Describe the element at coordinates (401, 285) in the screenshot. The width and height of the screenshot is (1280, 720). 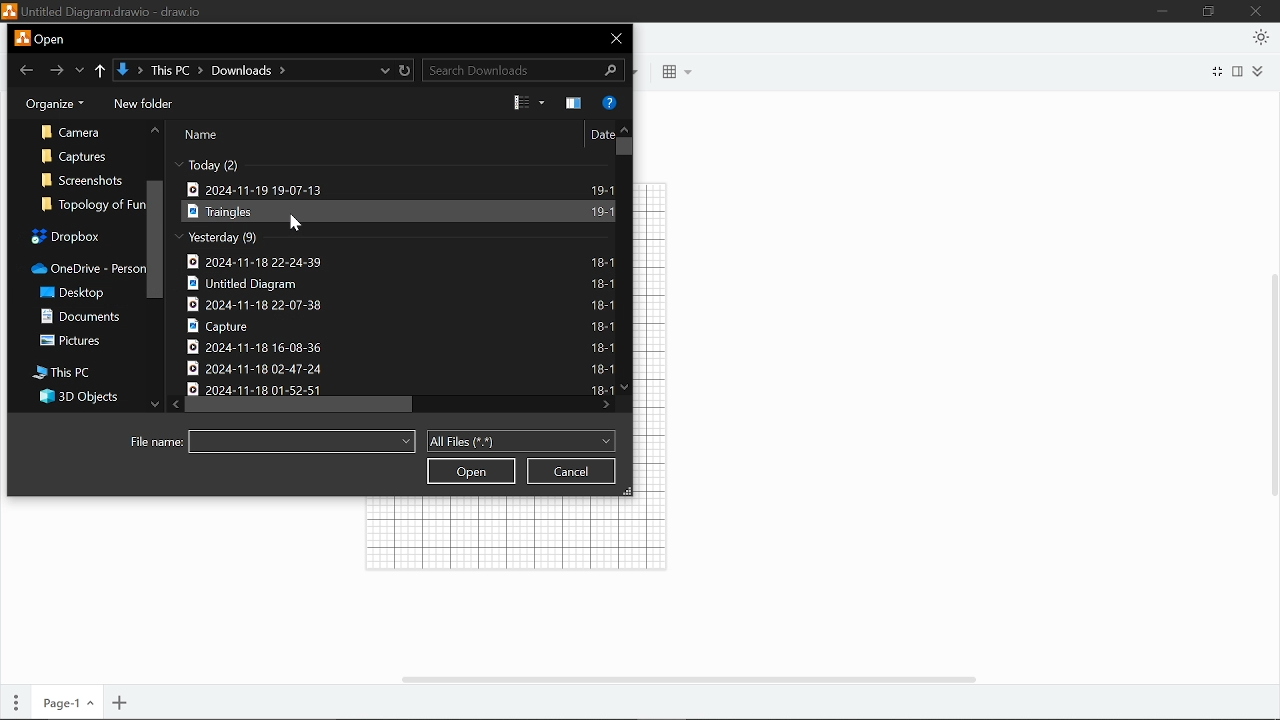
I see `Untitled Diagram       18-1` at that location.